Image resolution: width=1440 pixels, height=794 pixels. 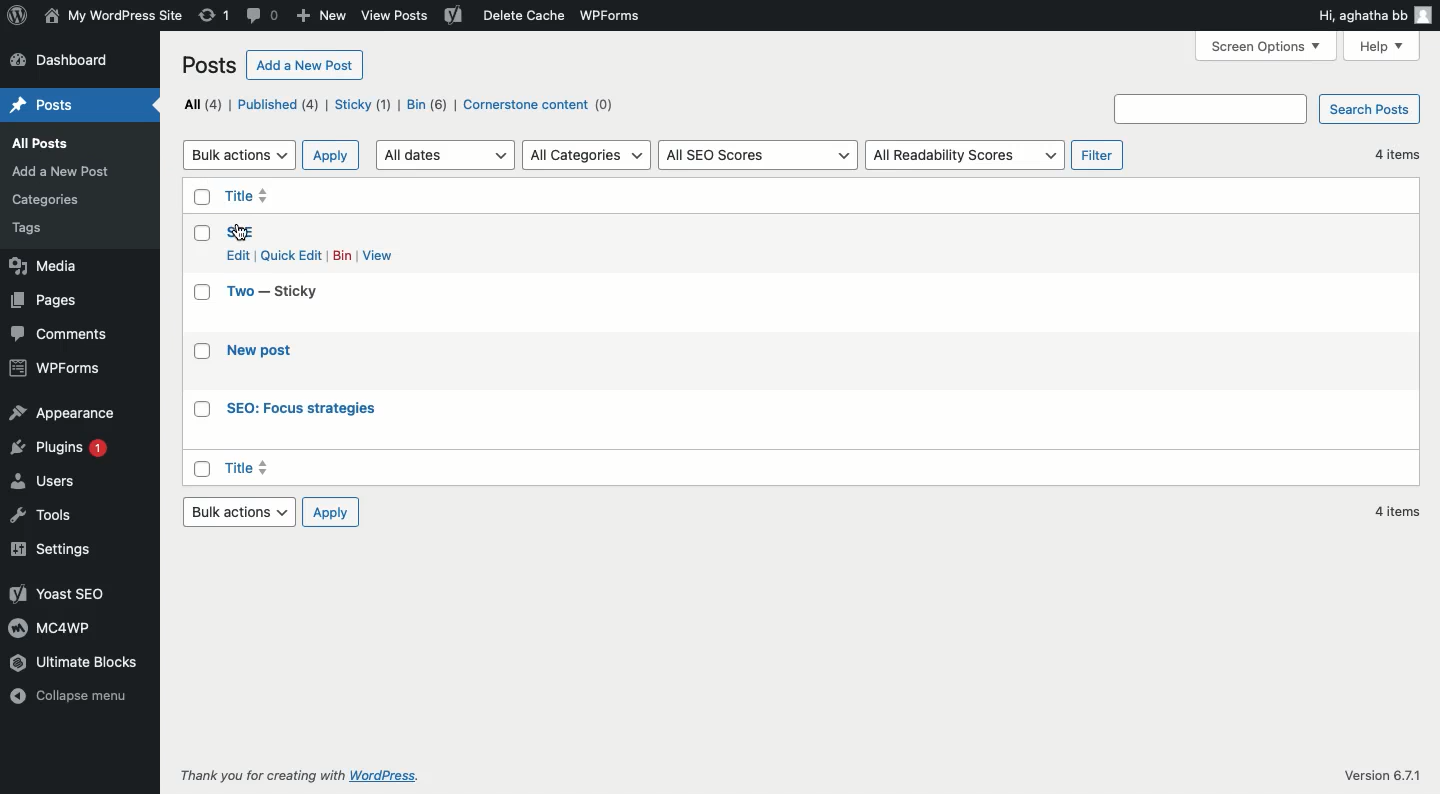 I want to click on WPForms, so click(x=608, y=20).